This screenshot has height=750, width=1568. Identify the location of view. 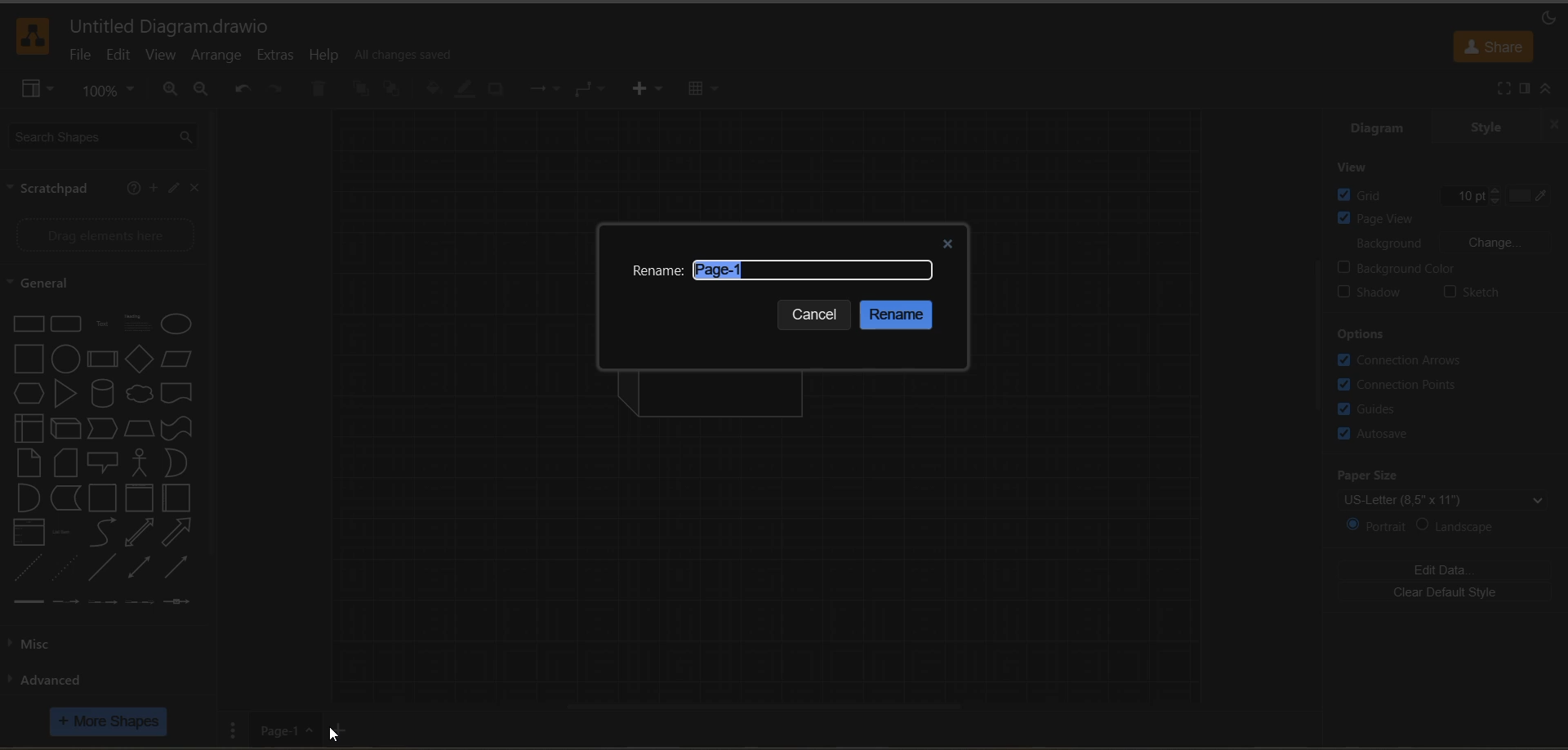
(38, 92).